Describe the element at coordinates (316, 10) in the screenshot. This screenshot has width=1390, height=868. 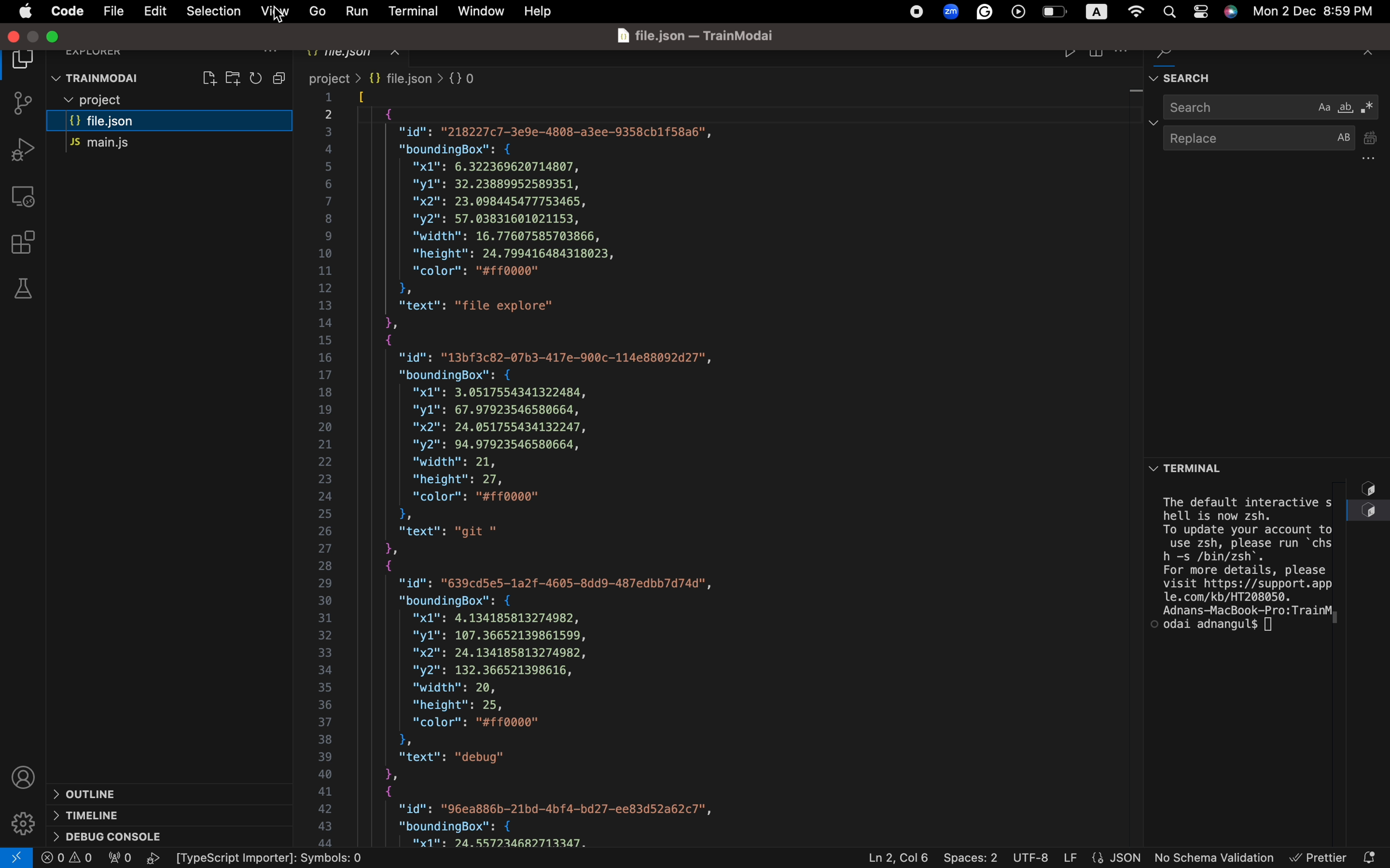
I see `go` at that location.